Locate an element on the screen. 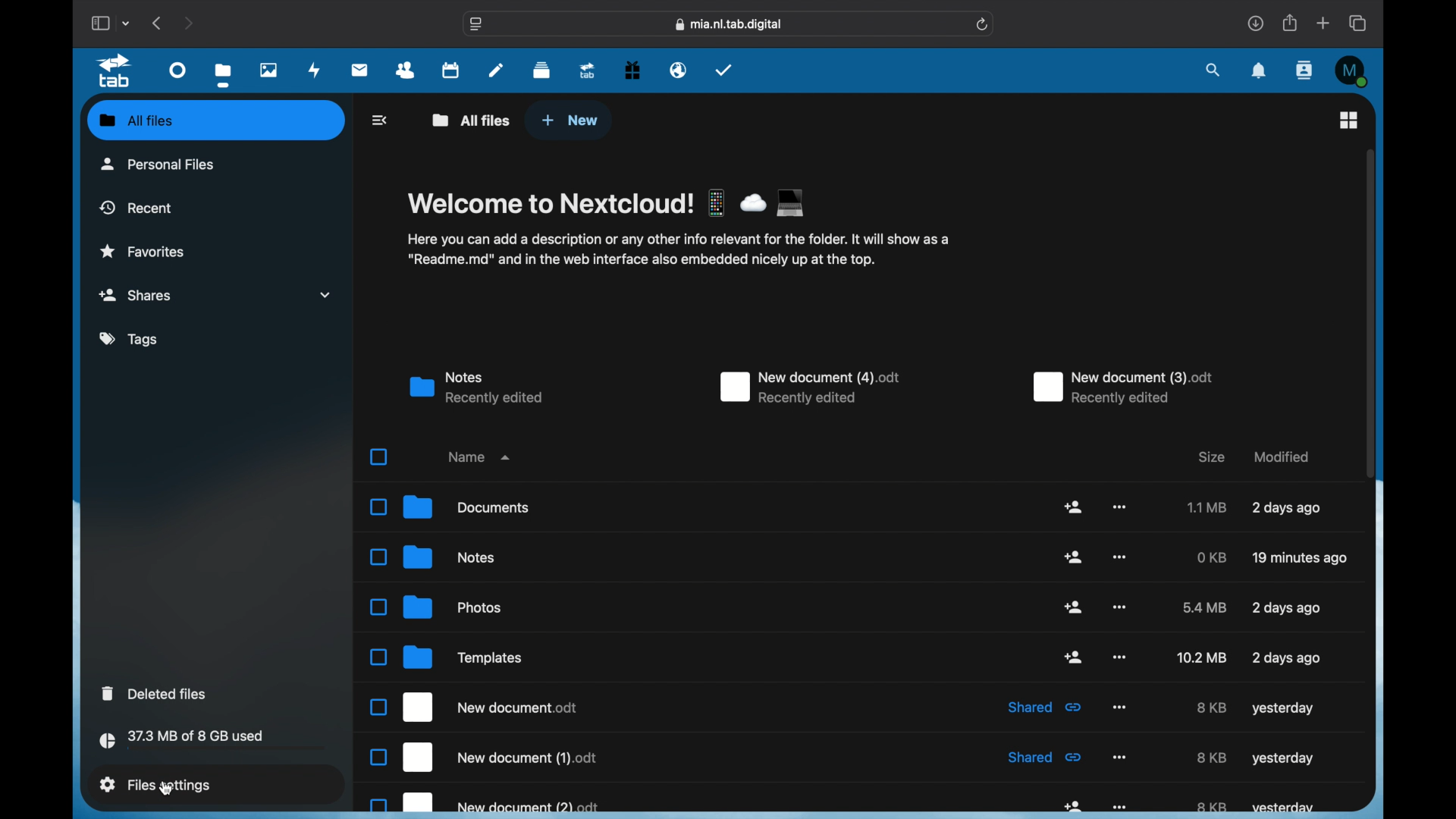 The width and height of the screenshot is (1456, 819). size is located at coordinates (1213, 557).